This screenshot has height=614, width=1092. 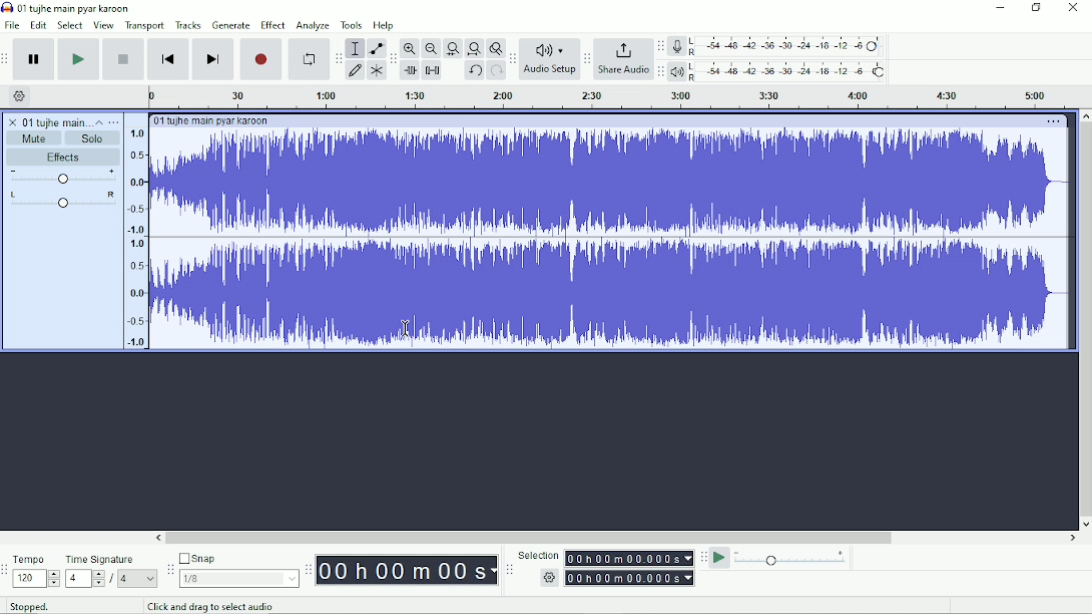 What do you see at coordinates (273, 25) in the screenshot?
I see `Effect` at bounding box center [273, 25].